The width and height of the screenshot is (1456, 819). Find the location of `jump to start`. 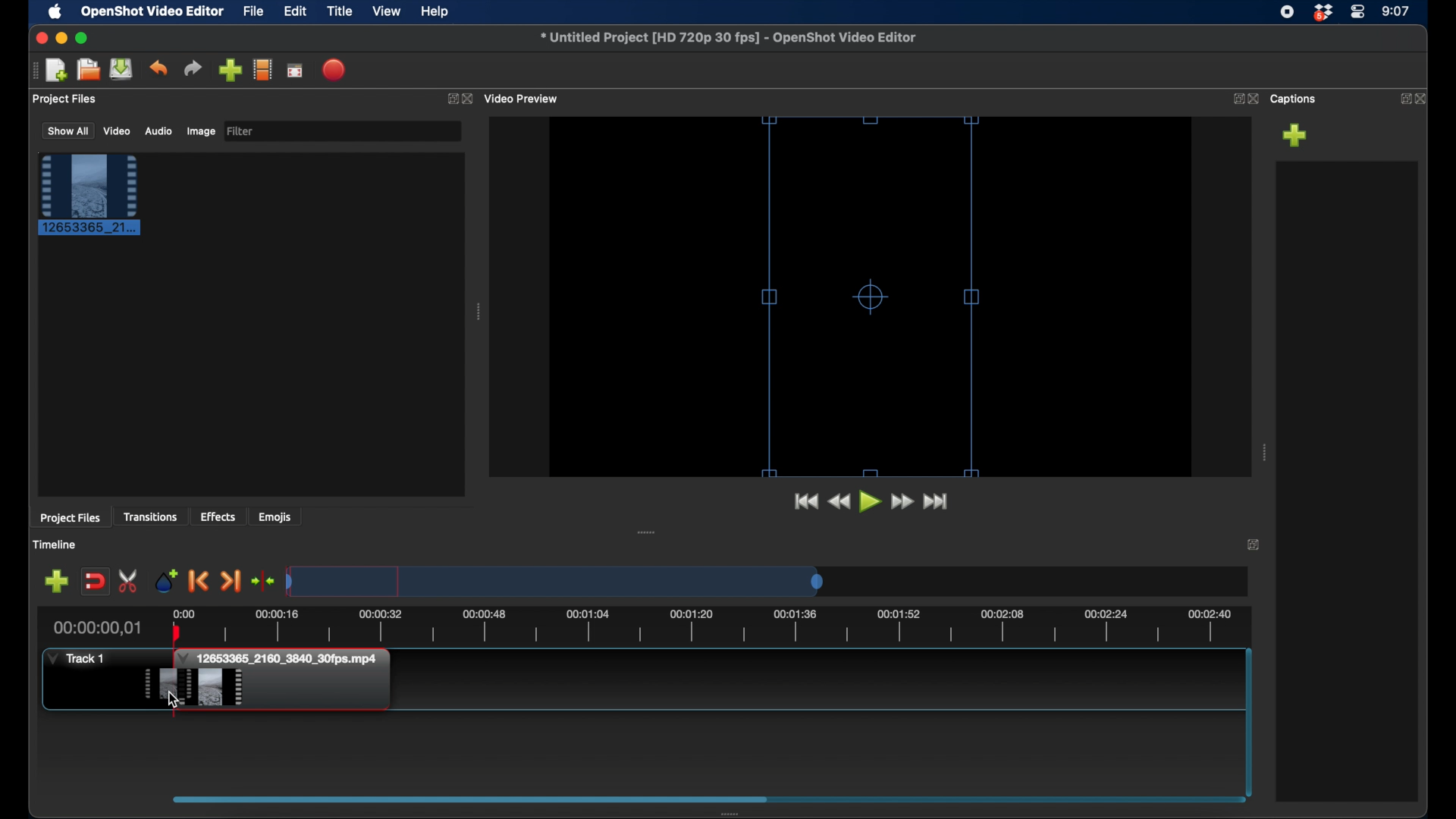

jump to start is located at coordinates (803, 501).